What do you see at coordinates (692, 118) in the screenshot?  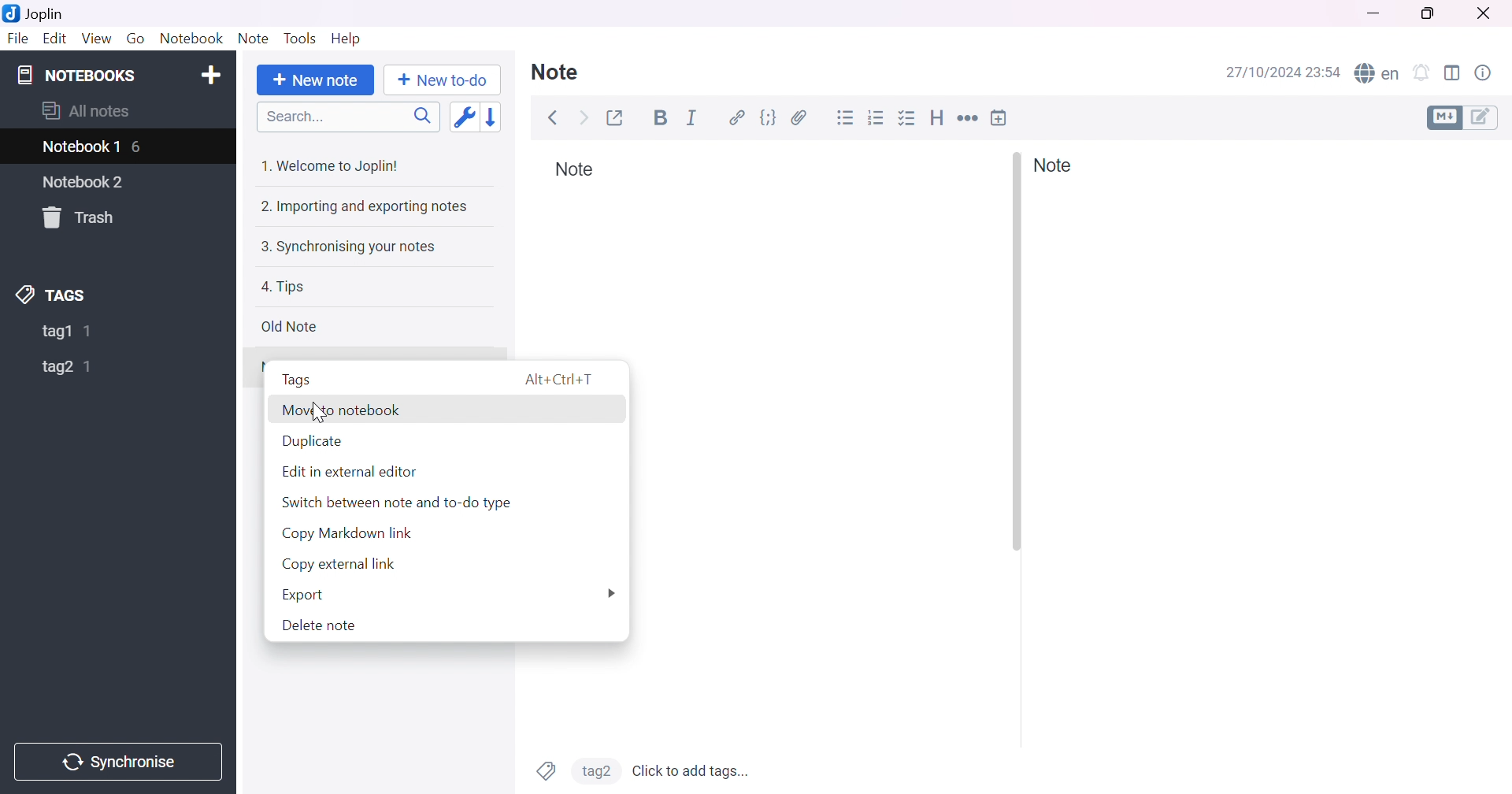 I see `Italic` at bounding box center [692, 118].